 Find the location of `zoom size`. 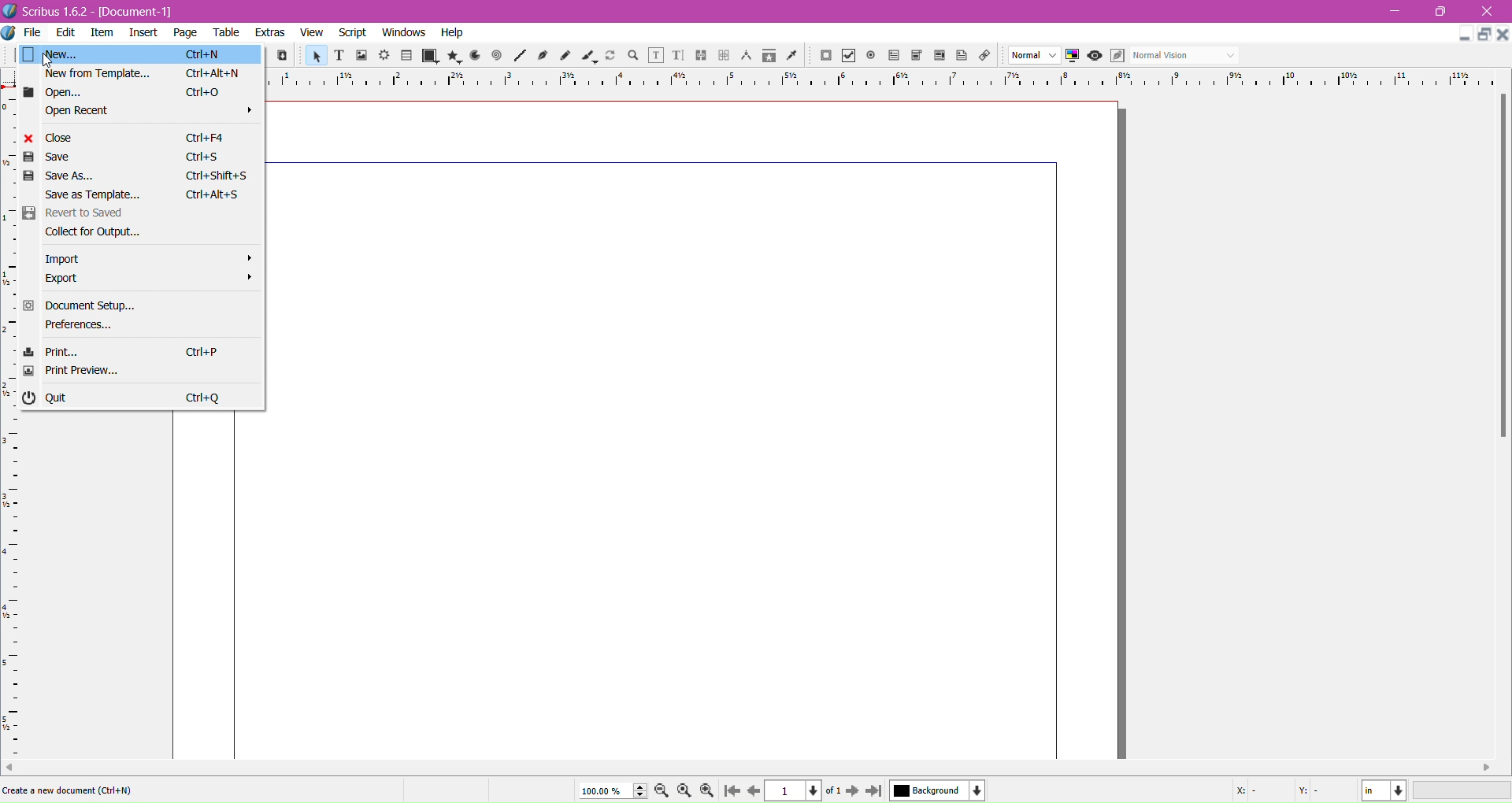

zoom size is located at coordinates (611, 790).